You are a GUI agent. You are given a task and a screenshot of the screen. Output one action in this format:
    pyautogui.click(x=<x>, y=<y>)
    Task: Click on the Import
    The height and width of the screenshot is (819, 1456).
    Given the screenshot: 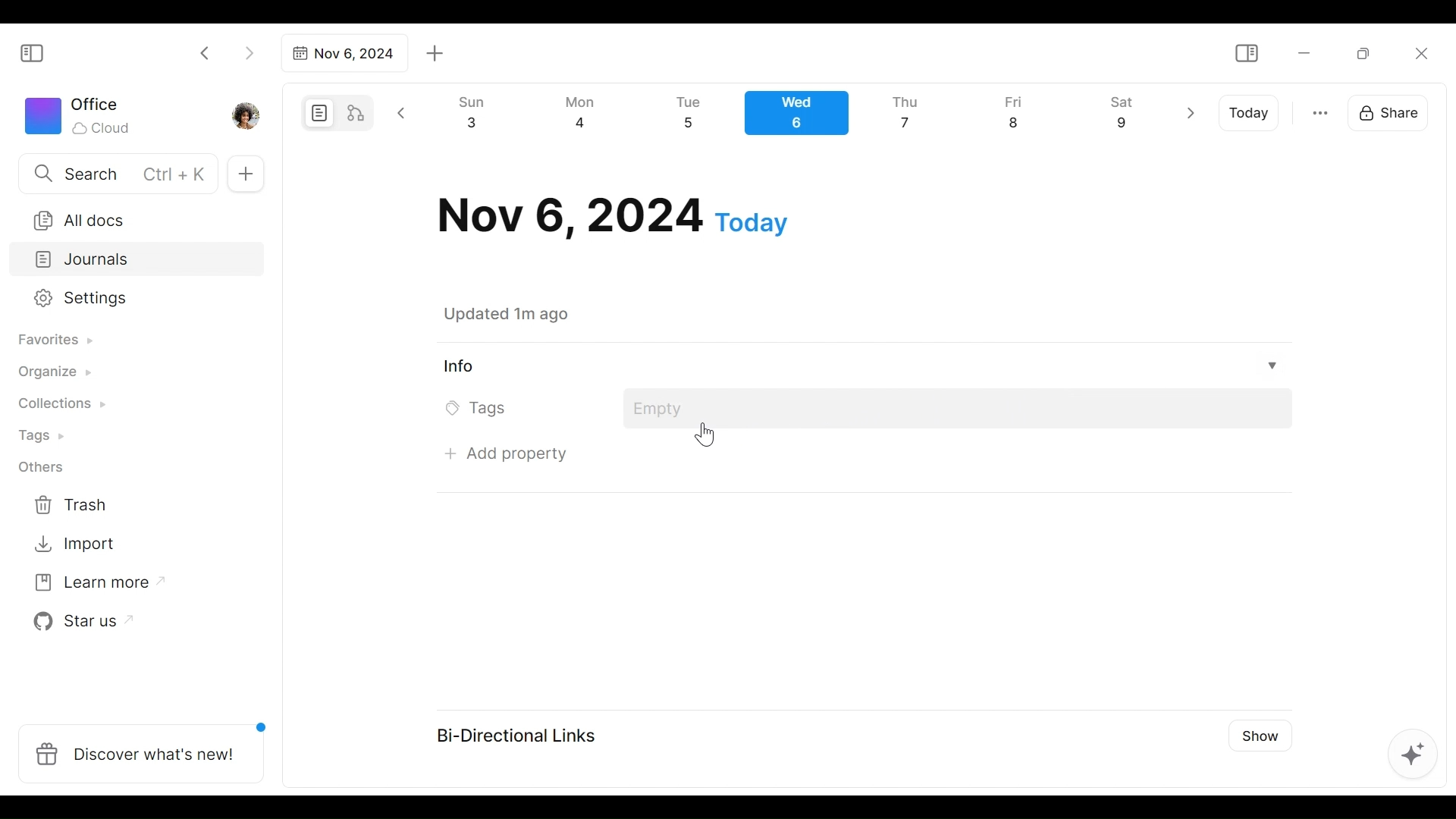 What is the action you would take?
    pyautogui.click(x=77, y=542)
    